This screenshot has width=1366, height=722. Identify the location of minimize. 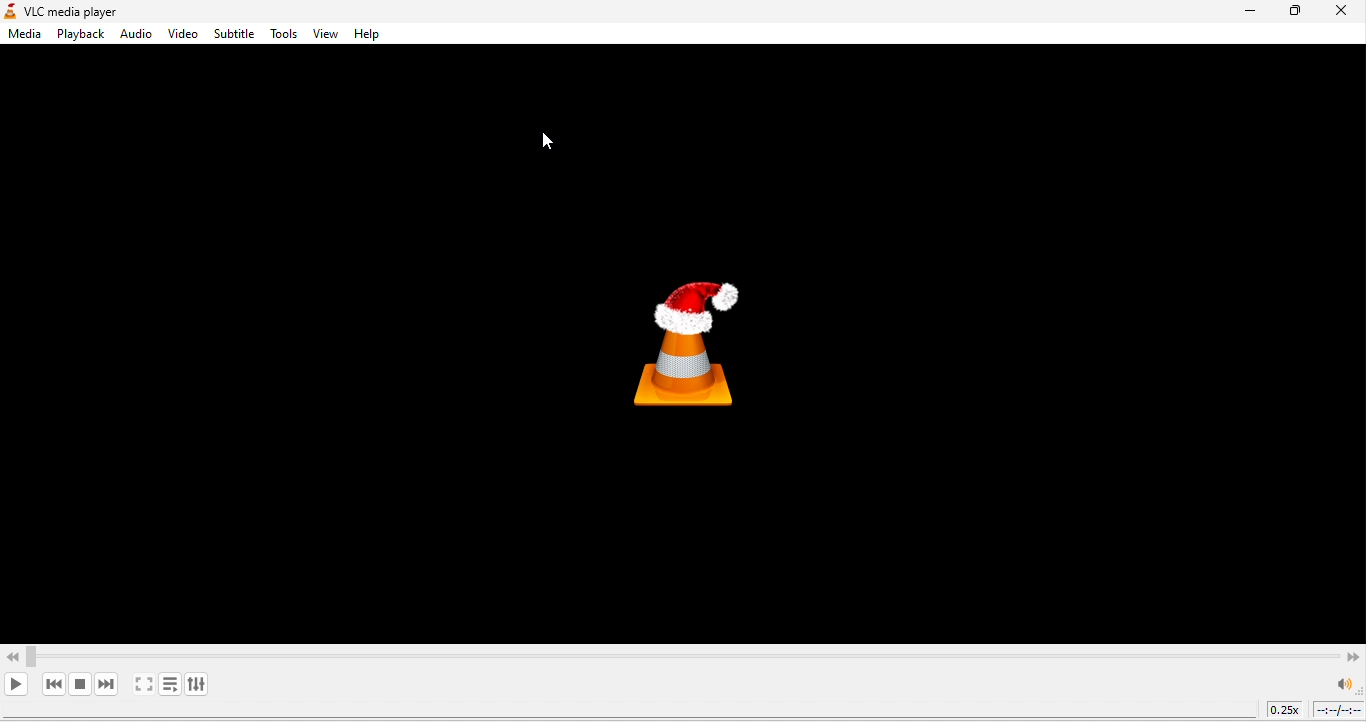
(1243, 13).